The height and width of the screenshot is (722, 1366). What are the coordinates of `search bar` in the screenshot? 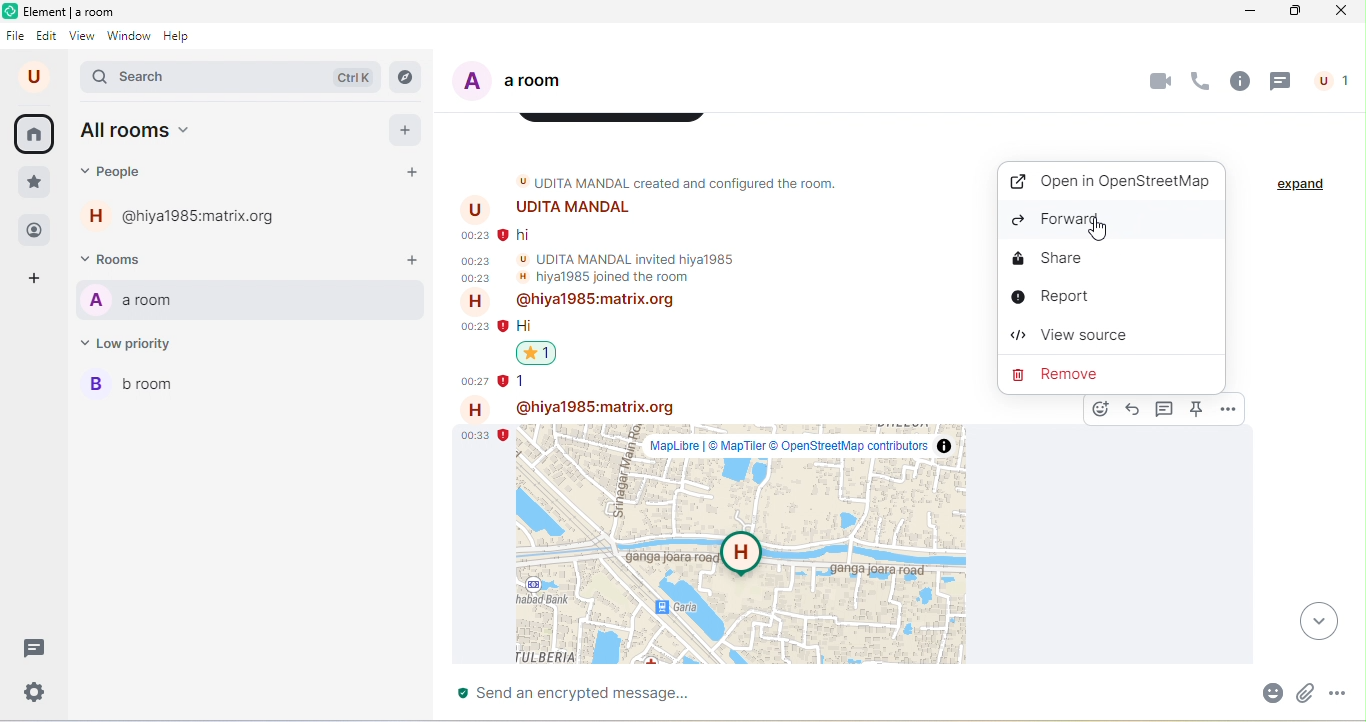 It's located at (232, 77).